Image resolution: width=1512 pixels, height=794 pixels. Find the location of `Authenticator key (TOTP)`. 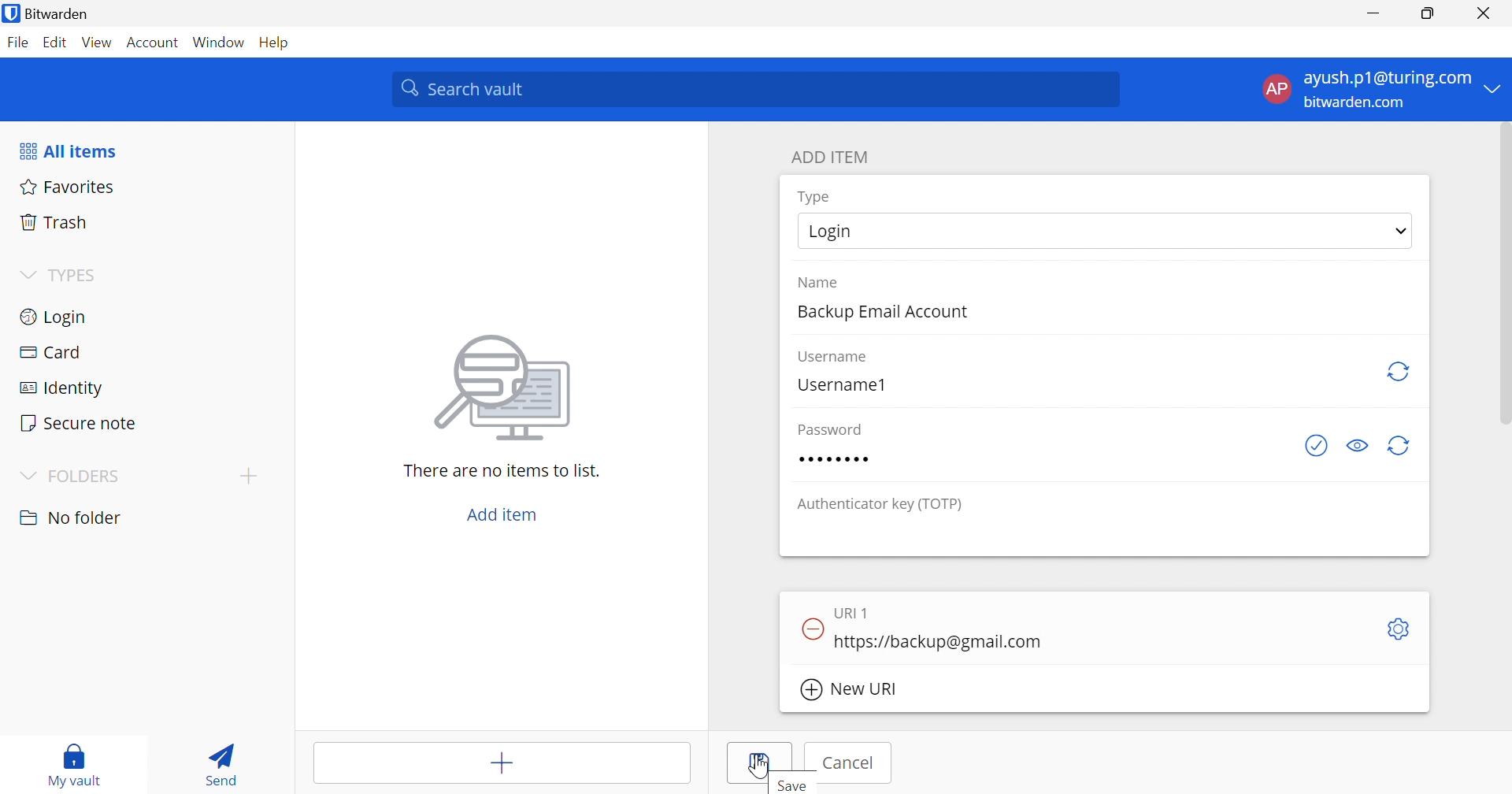

Authenticator key (TOTP) is located at coordinates (880, 506).